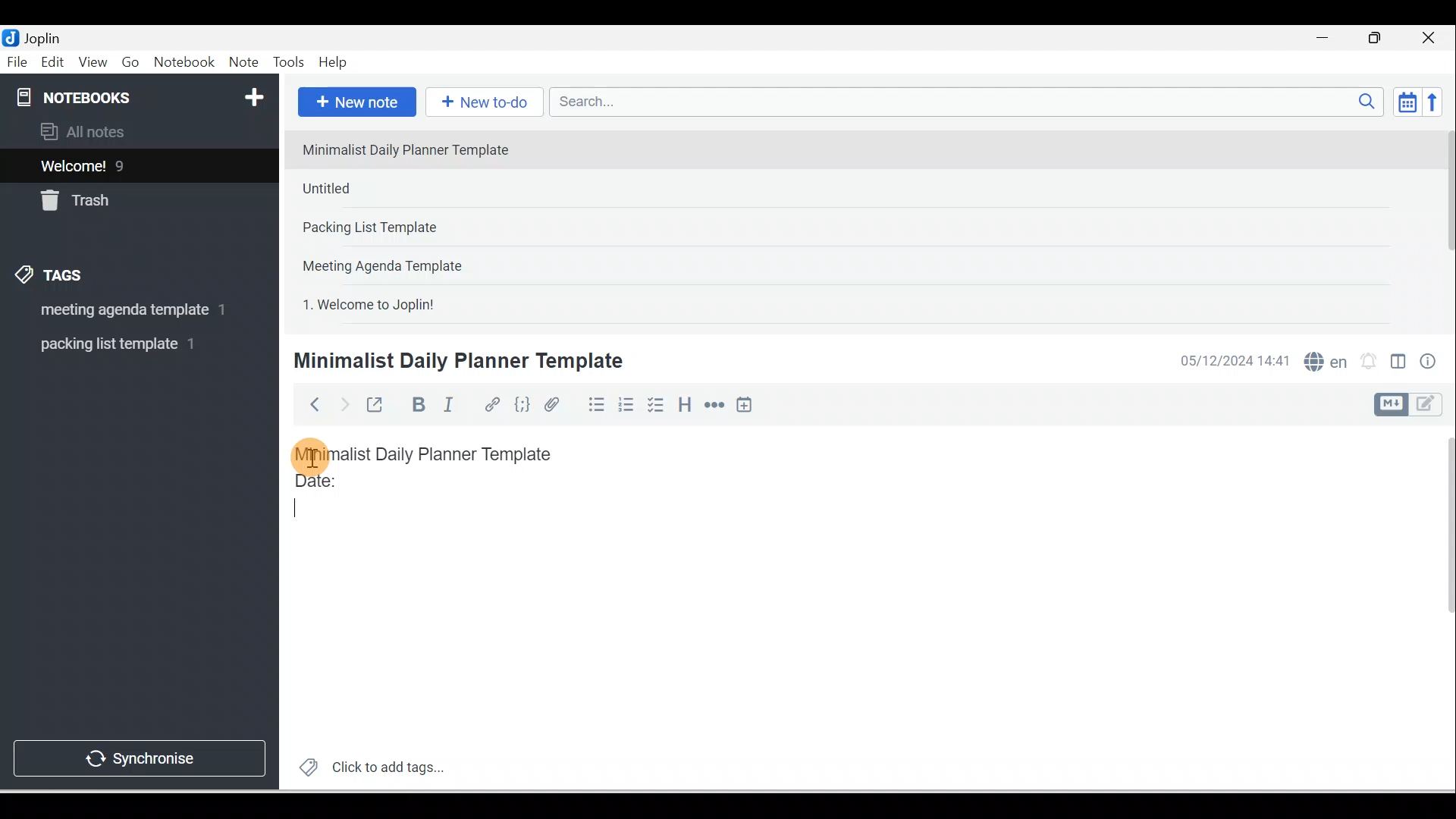 The image size is (1456, 819). What do you see at coordinates (334, 63) in the screenshot?
I see `Help` at bounding box center [334, 63].